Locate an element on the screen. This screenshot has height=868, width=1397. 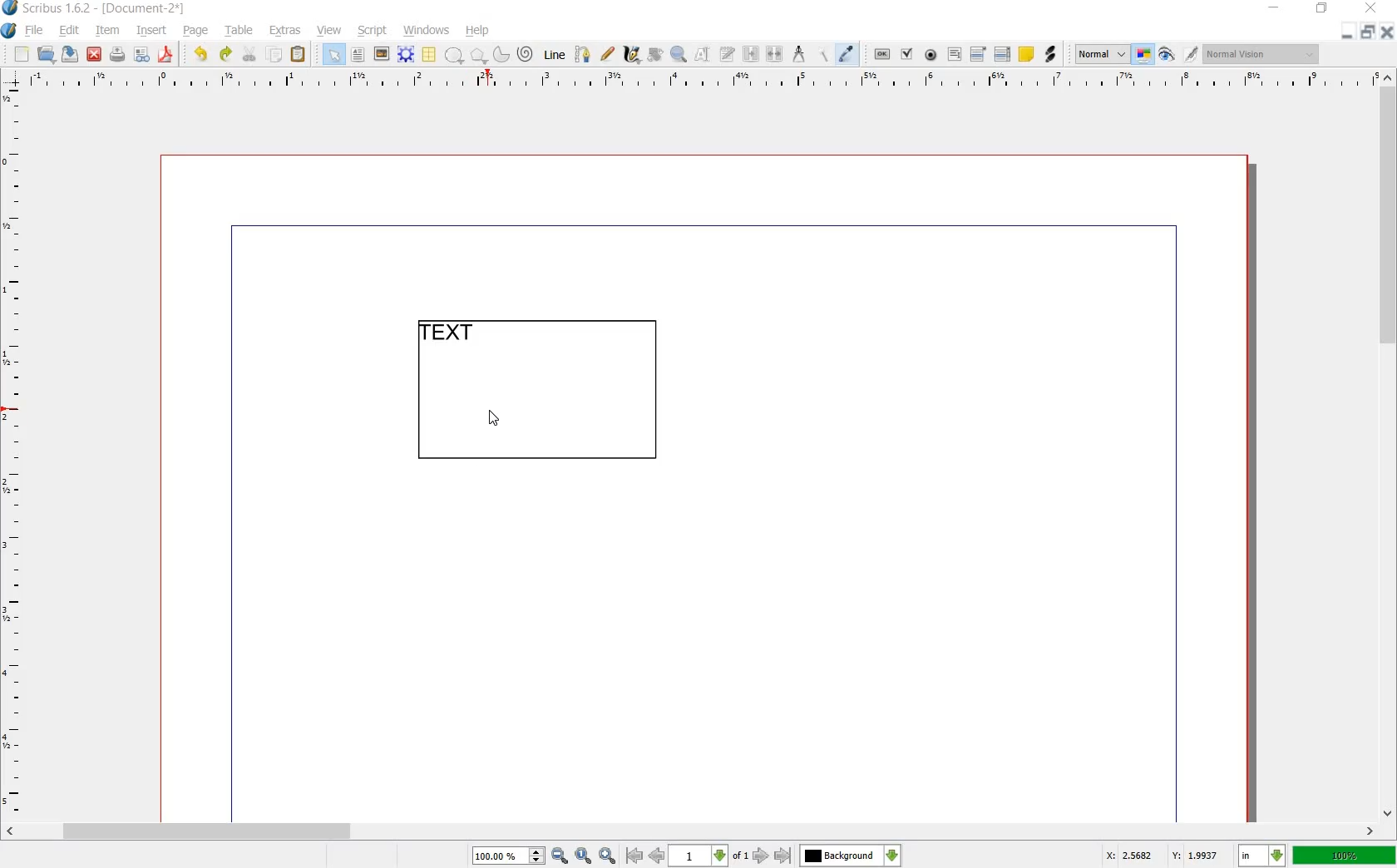
X: 2.5682 Y: 1.9937 is located at coordinates (1162, 855).